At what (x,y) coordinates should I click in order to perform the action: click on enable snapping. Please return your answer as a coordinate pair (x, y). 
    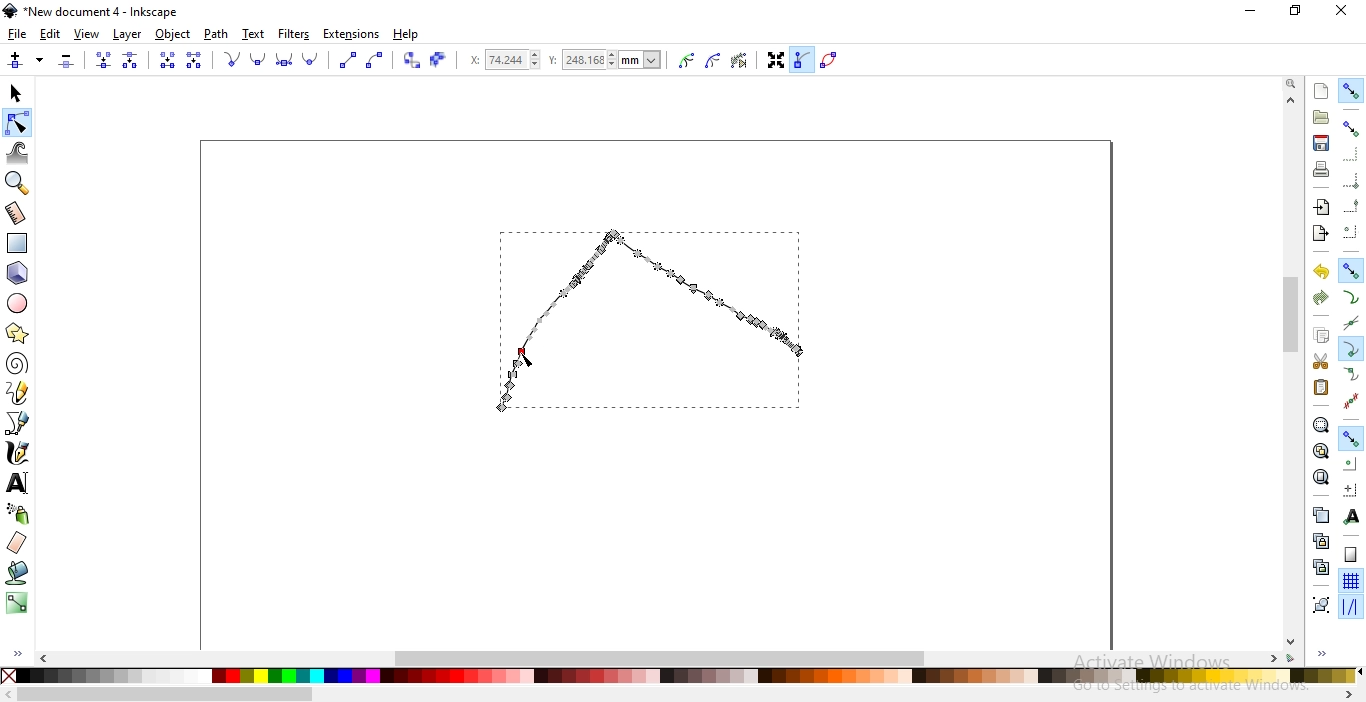
    Looking at the image, I should click on (1351, 91).